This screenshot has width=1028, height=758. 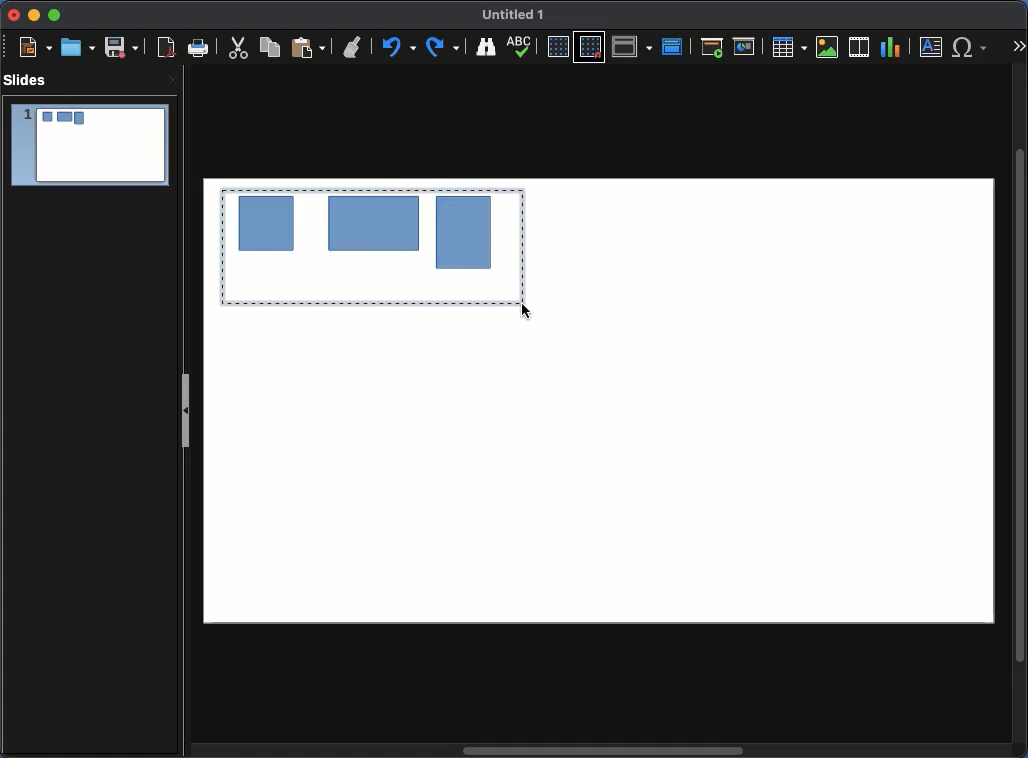 I want to click on Special characters, so click(x=970, y=47).